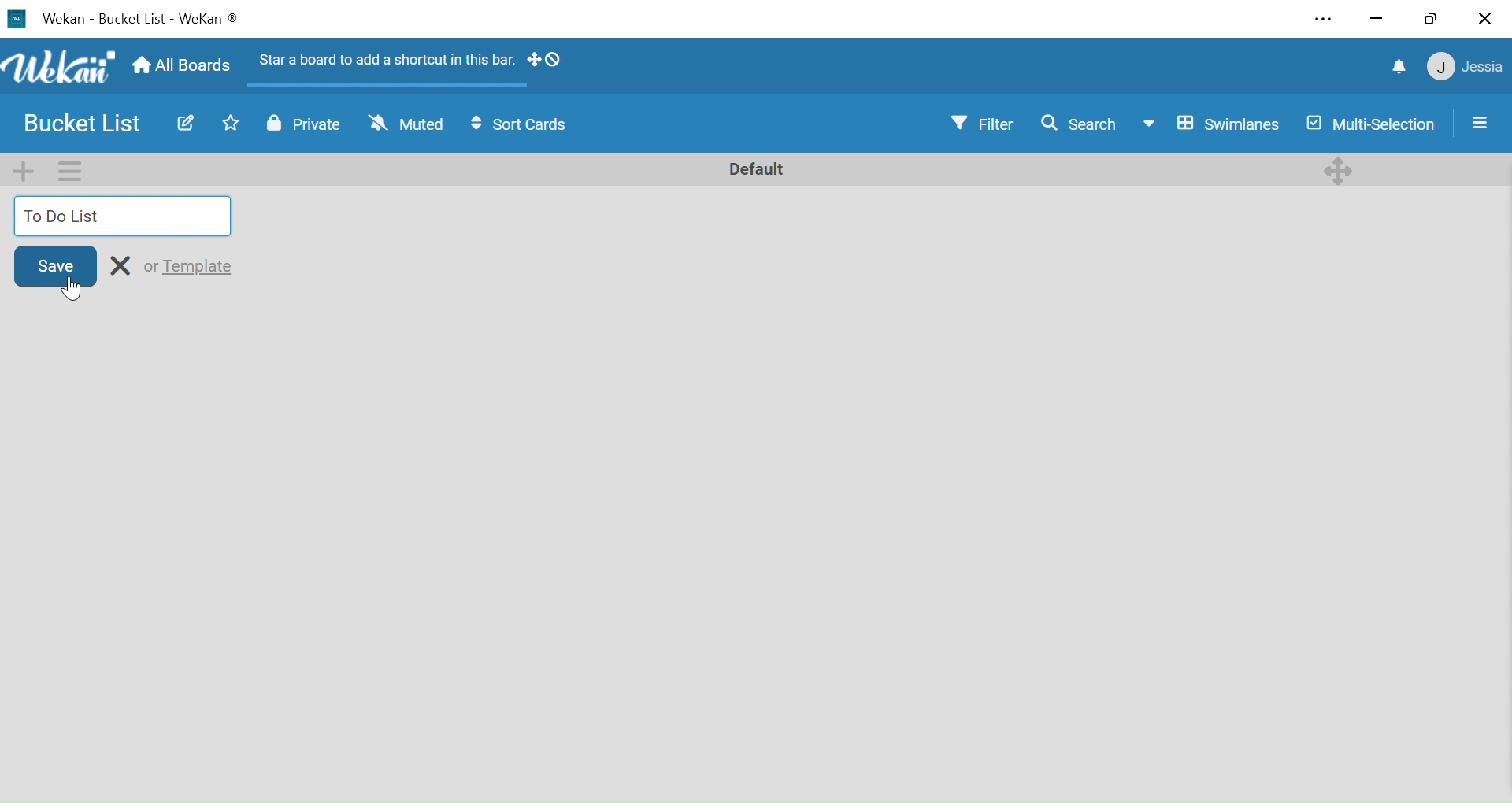 This screenshot has width=1512, height=803. Describe the element at coordinates (304, 127) in the screenshot. I see `Private` at that location.